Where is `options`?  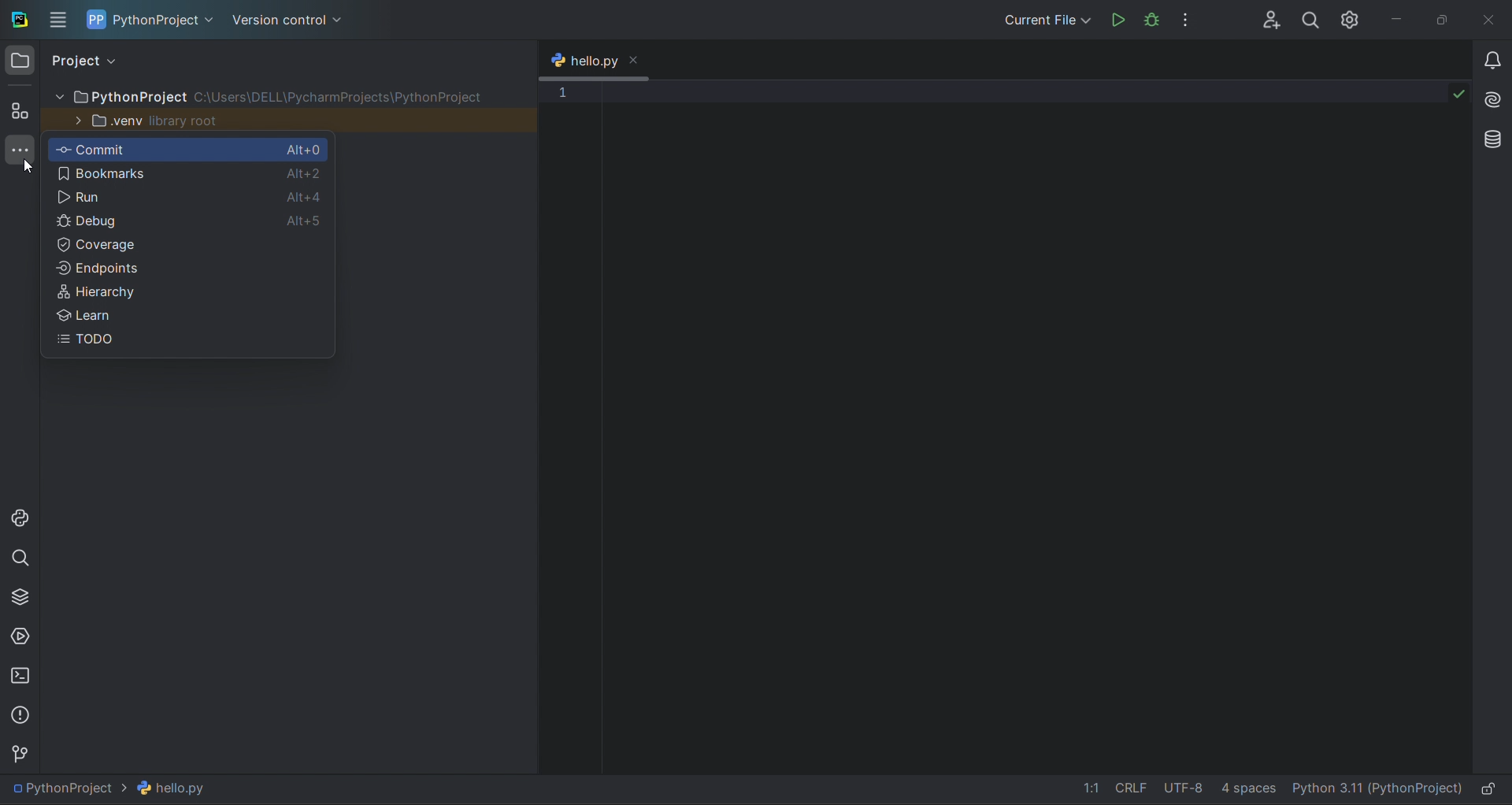
options is located at coordinates (1186, 19).